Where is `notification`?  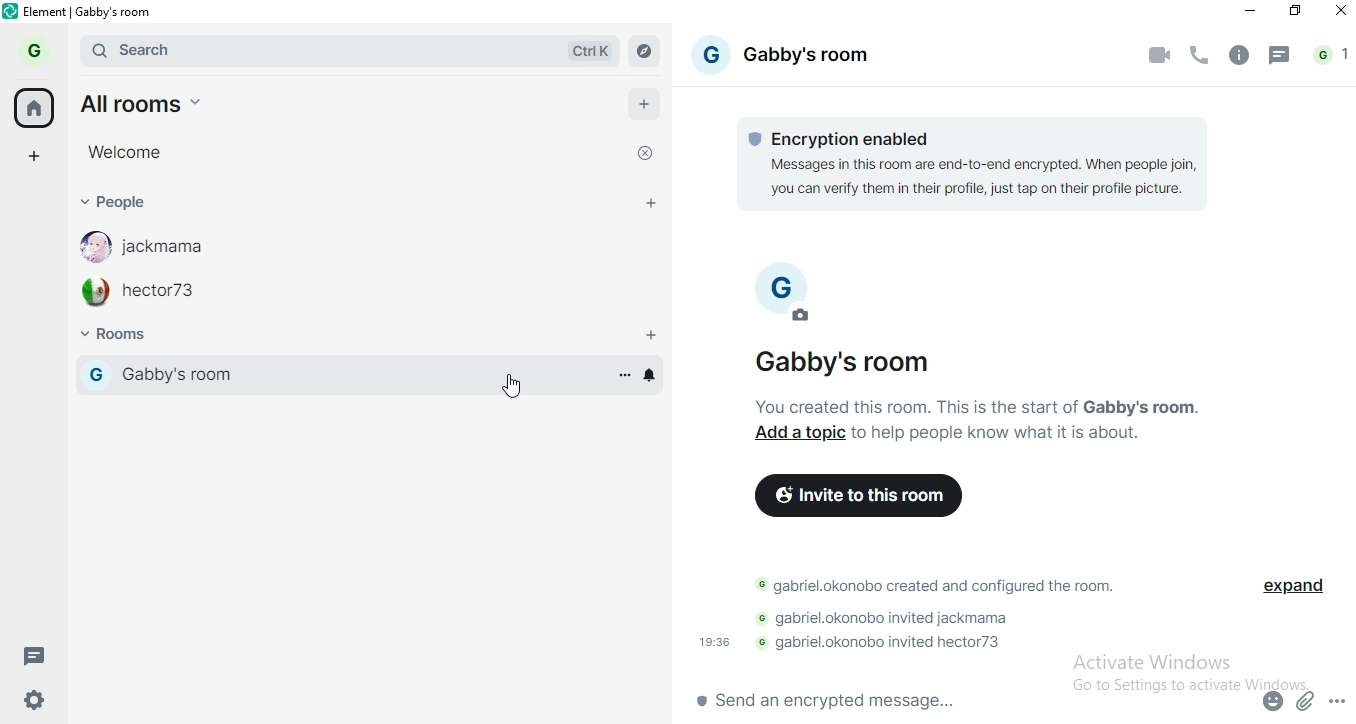 notification is located at coordinates (1331, 57).